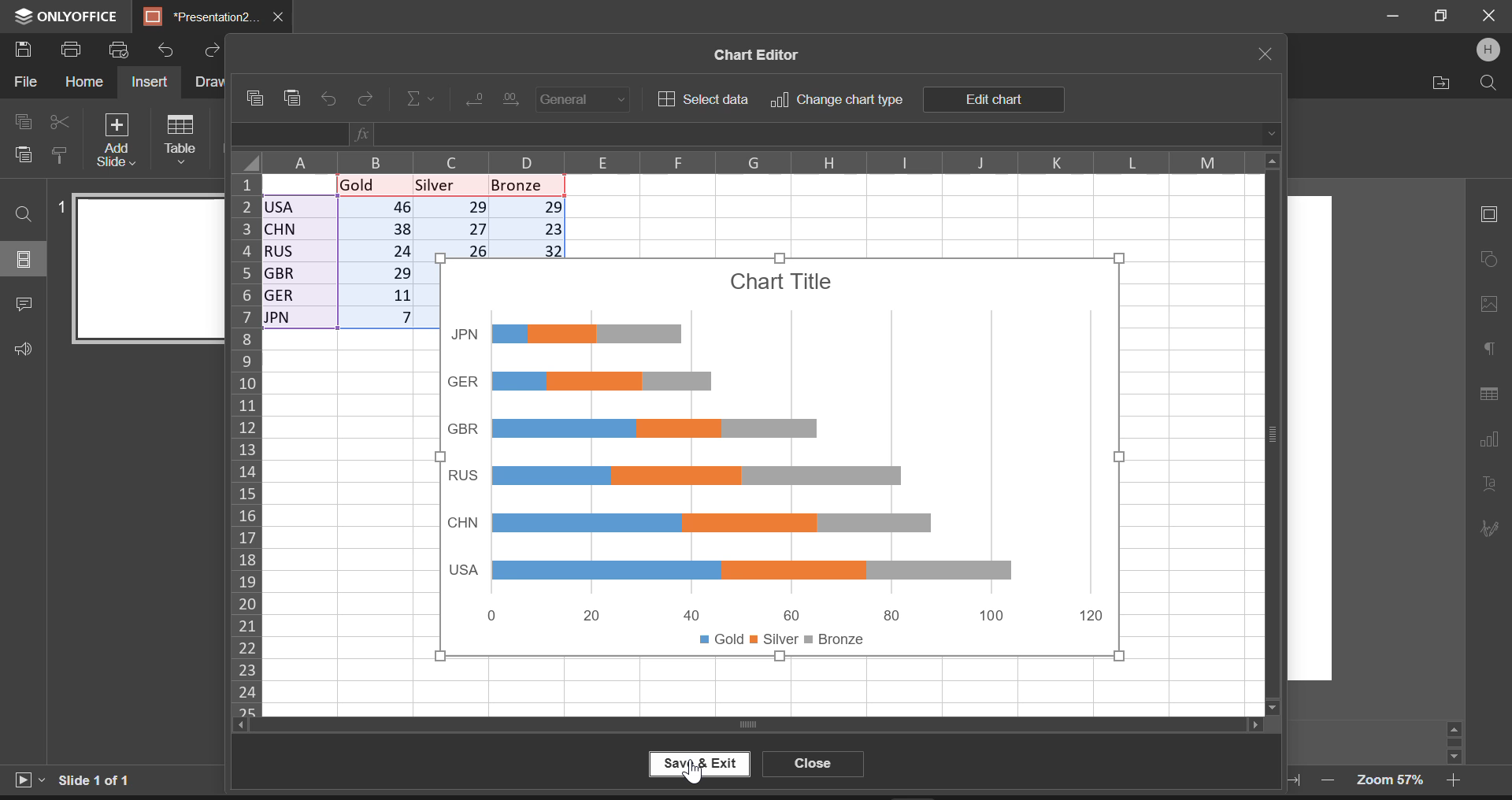 This screenshot has height=800, width=1512. Describe the element at coordinates (1488, 486) in the screenshot. I see `Text Art Settings` at that location.